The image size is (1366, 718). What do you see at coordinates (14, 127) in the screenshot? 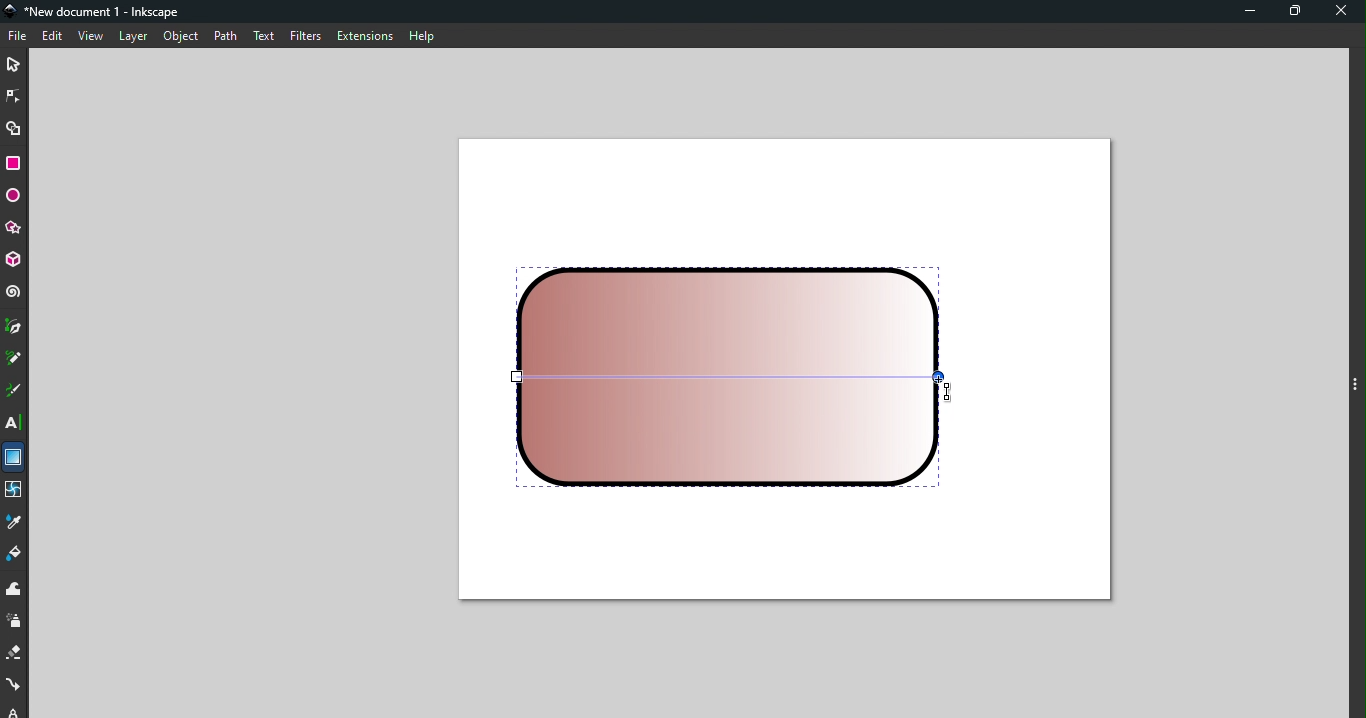
I see `Shape builder tool` at bounding box center [14, 127].